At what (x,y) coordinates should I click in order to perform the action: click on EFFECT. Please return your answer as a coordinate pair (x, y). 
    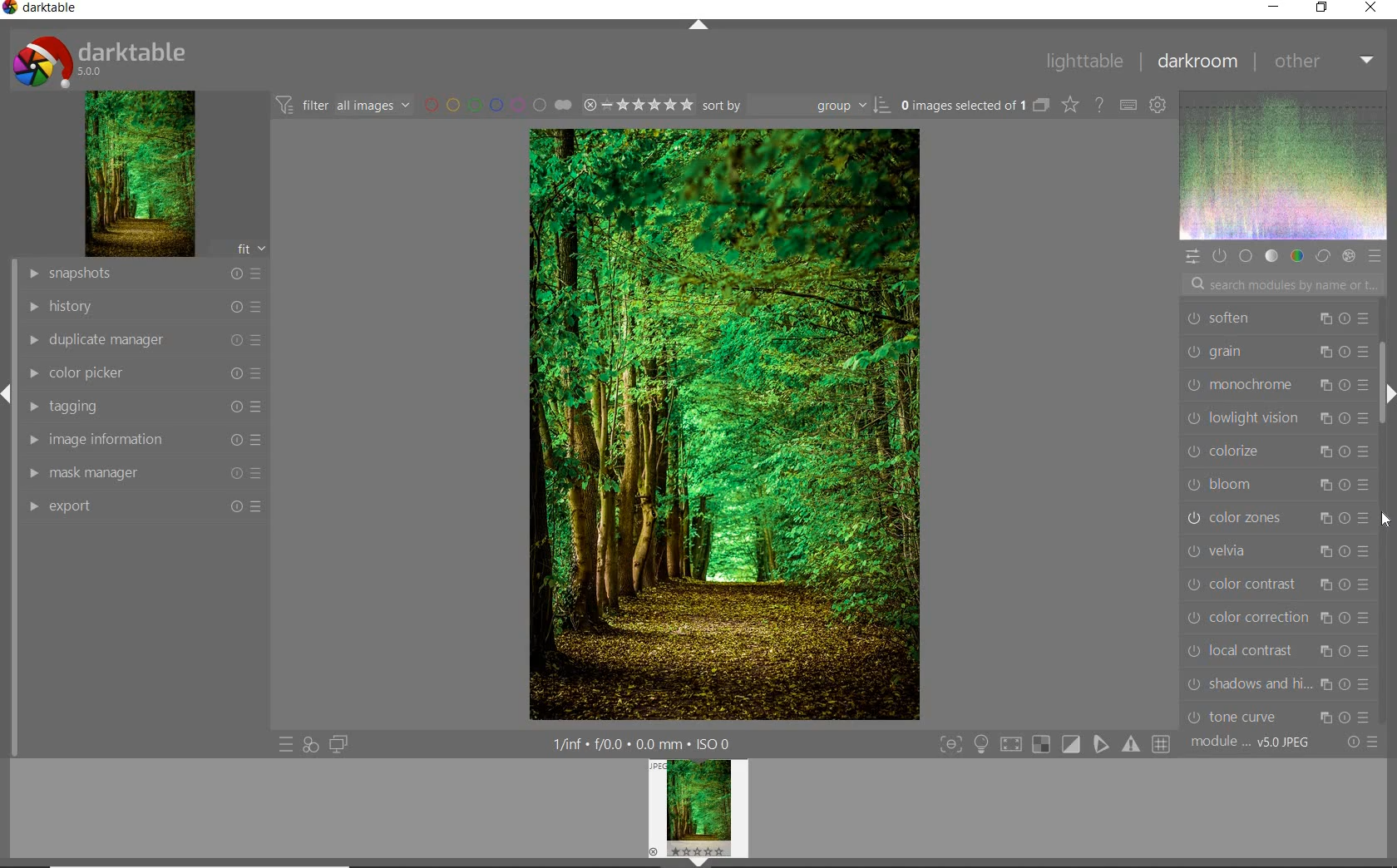
    Looking at the image, I should click on (1348, 255).